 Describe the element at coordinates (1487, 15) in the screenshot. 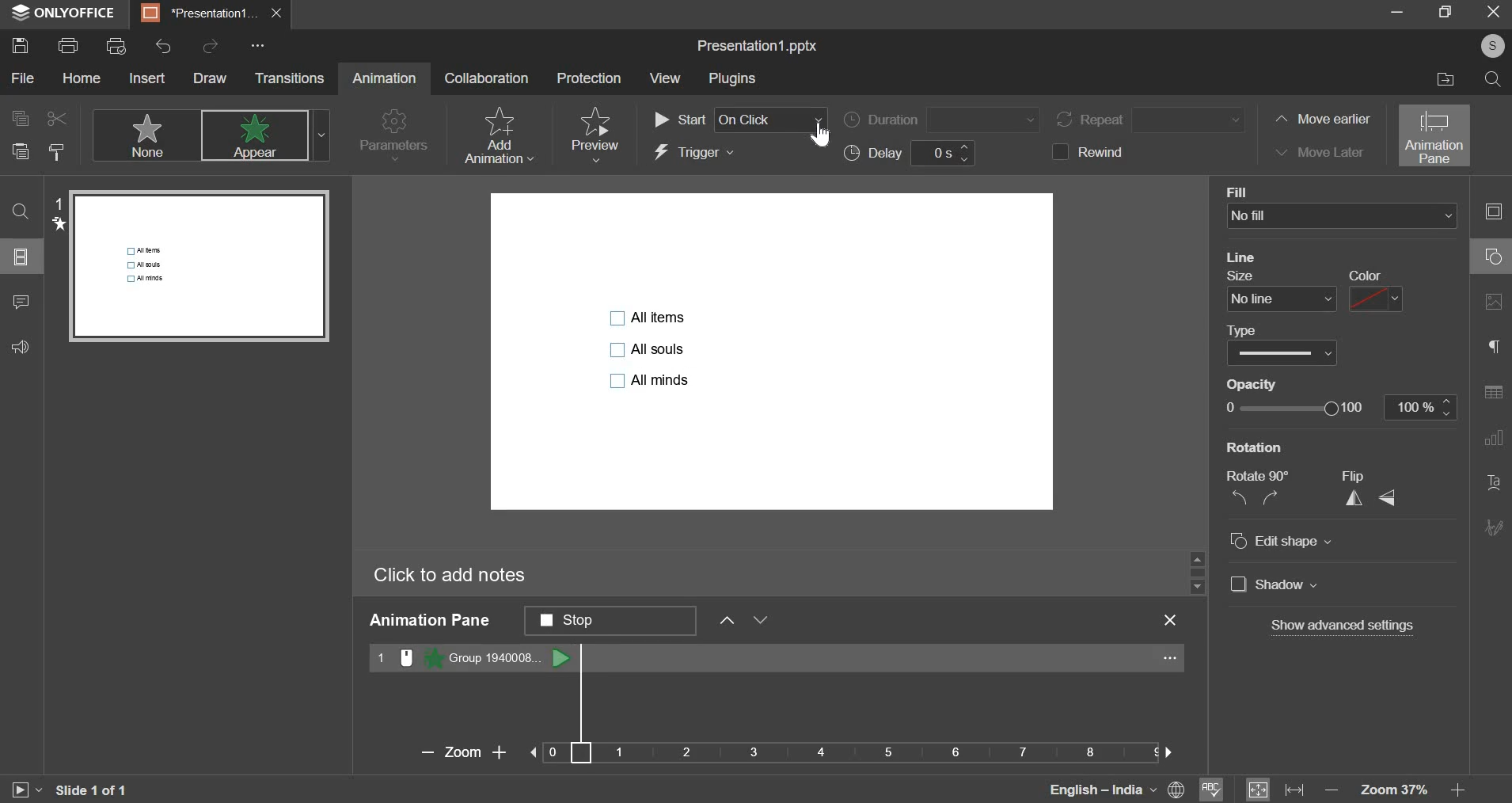

I see `exit` at that location.